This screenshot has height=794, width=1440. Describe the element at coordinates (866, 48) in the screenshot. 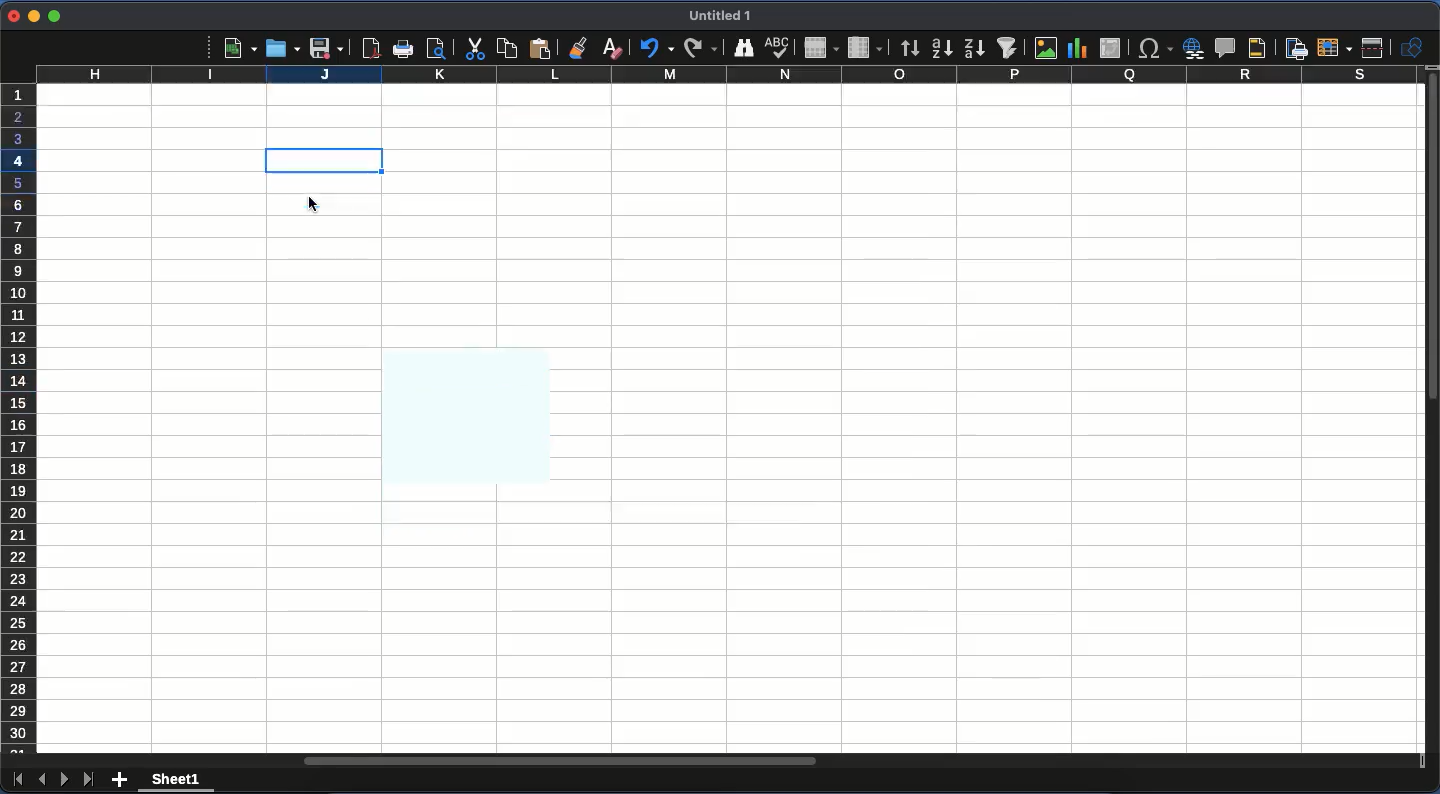

I see `column` at that location.